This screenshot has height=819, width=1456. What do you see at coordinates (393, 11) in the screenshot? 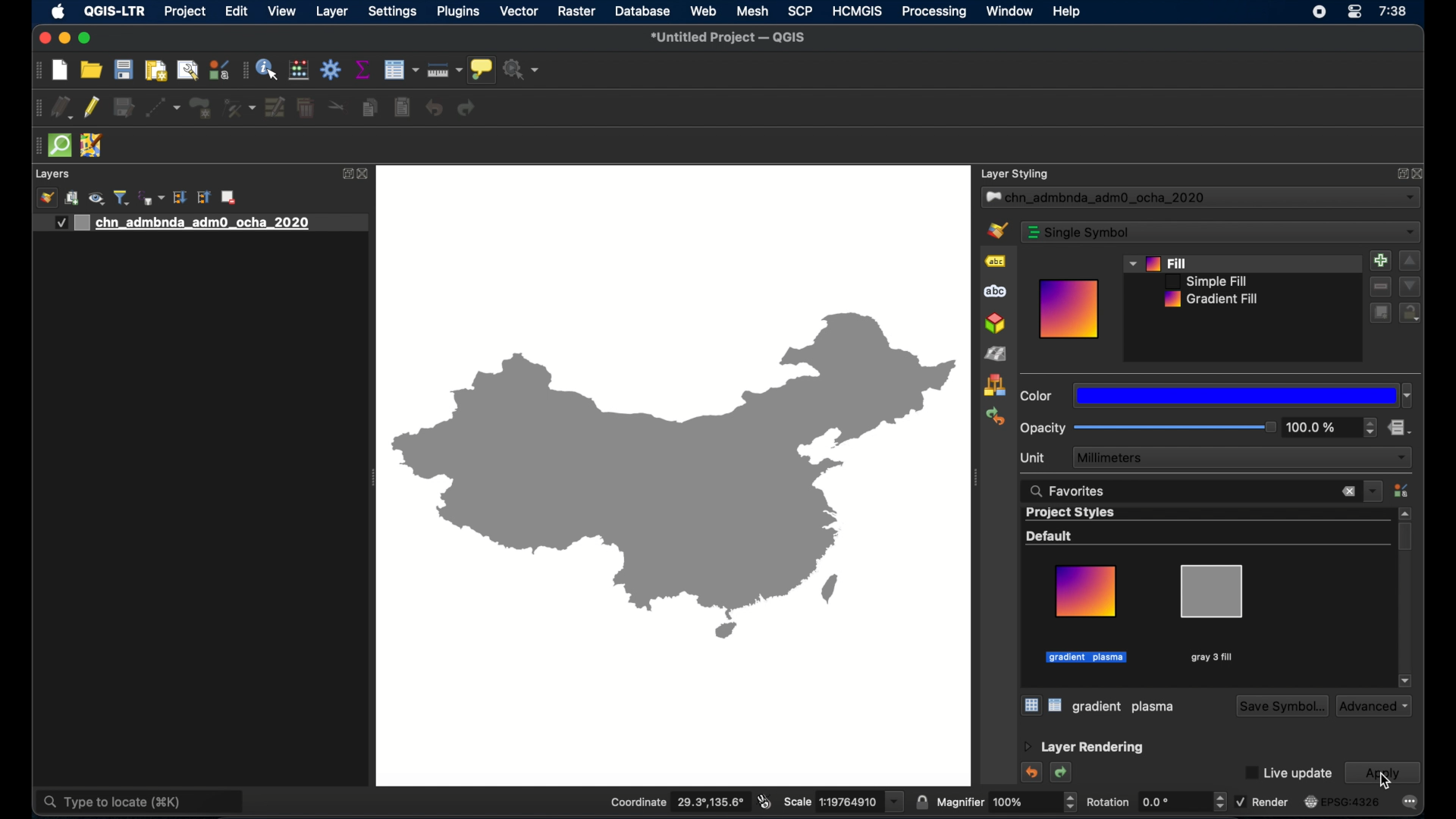
I see `settings` at bounding box center [393, 11].